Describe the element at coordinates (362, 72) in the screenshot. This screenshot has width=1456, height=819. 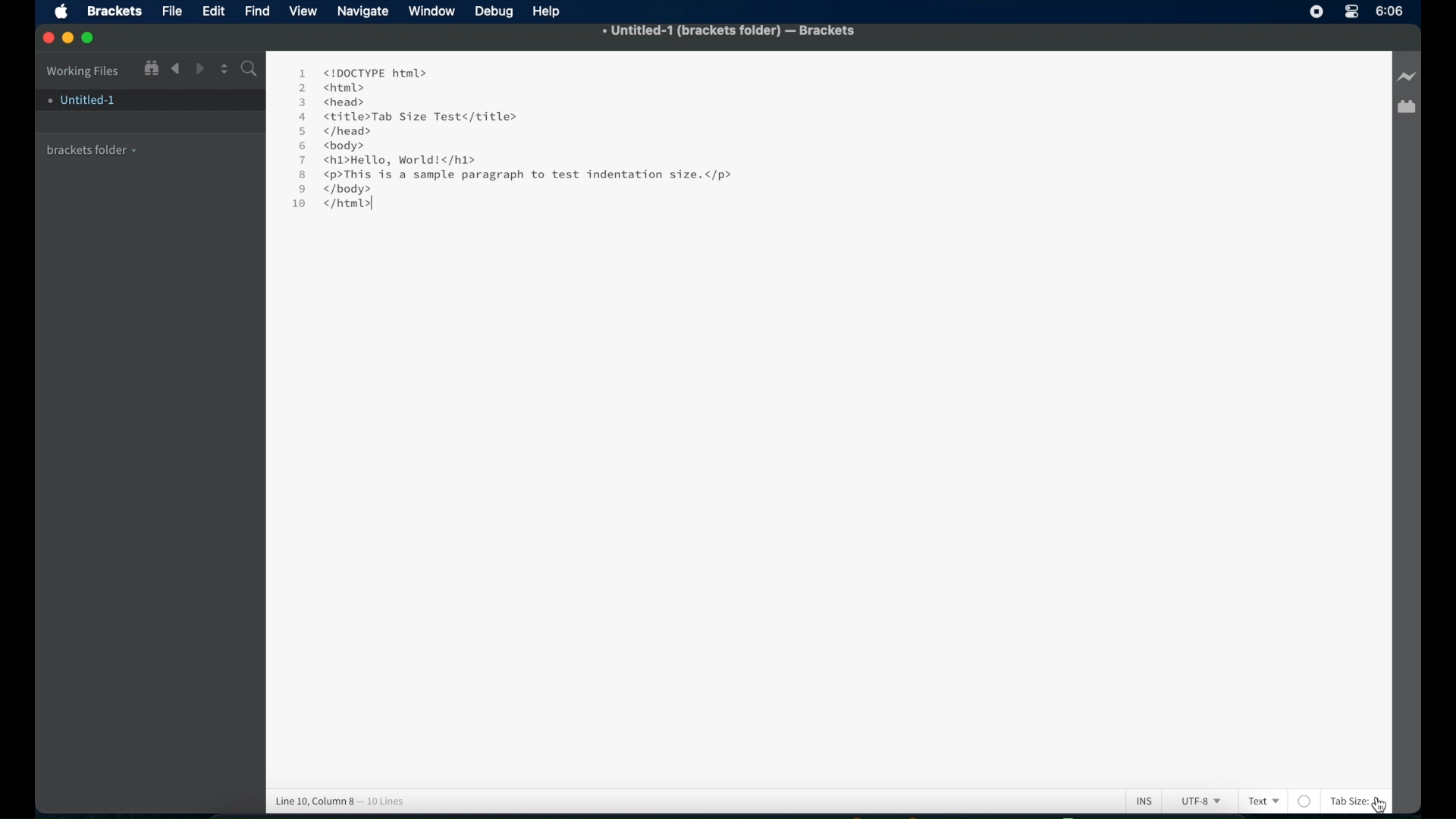
I see `1  <!DOCTYPE html>` at that location.